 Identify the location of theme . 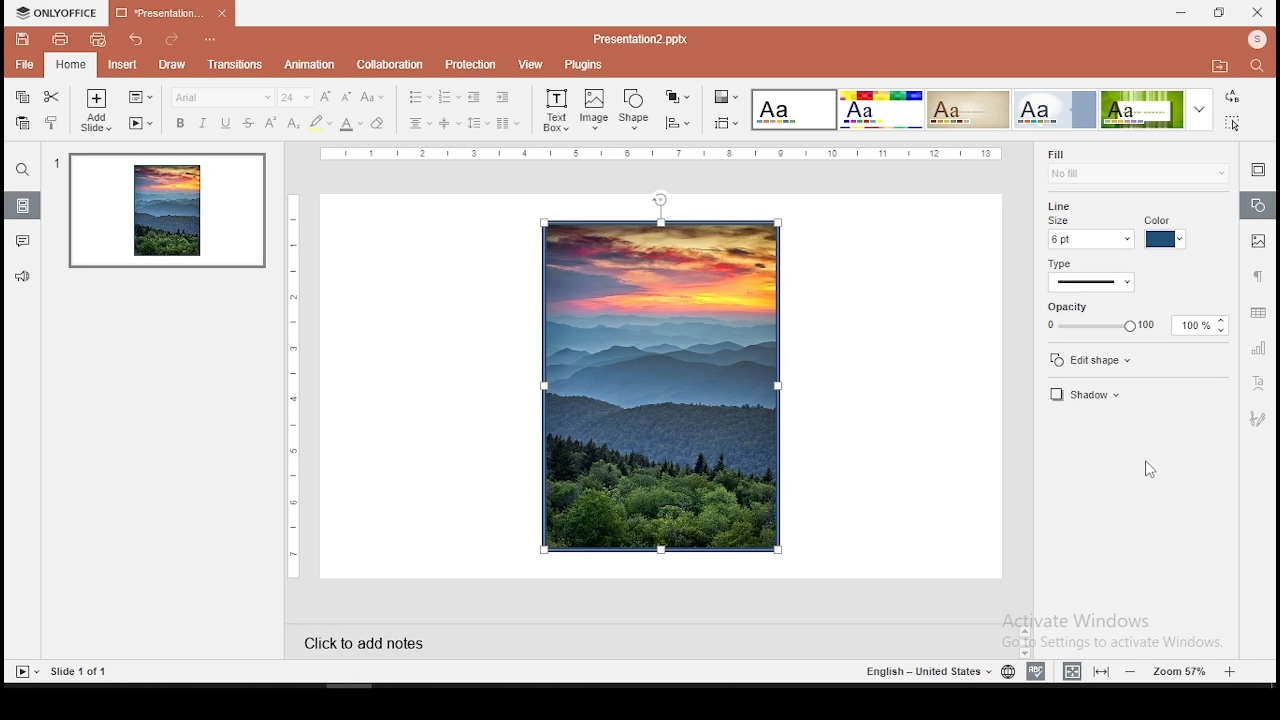
(880, 109).